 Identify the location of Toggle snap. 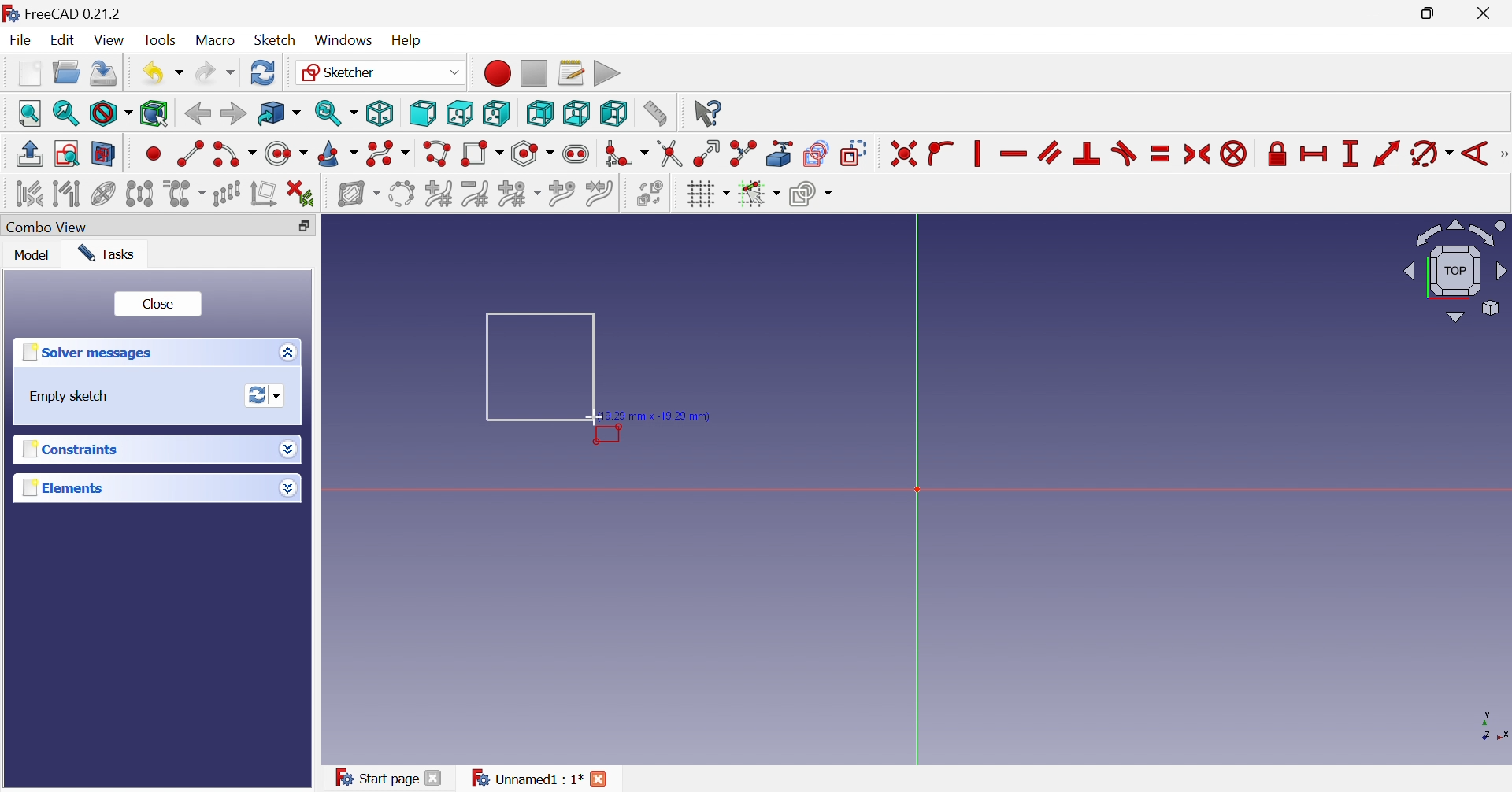
(758, 194).